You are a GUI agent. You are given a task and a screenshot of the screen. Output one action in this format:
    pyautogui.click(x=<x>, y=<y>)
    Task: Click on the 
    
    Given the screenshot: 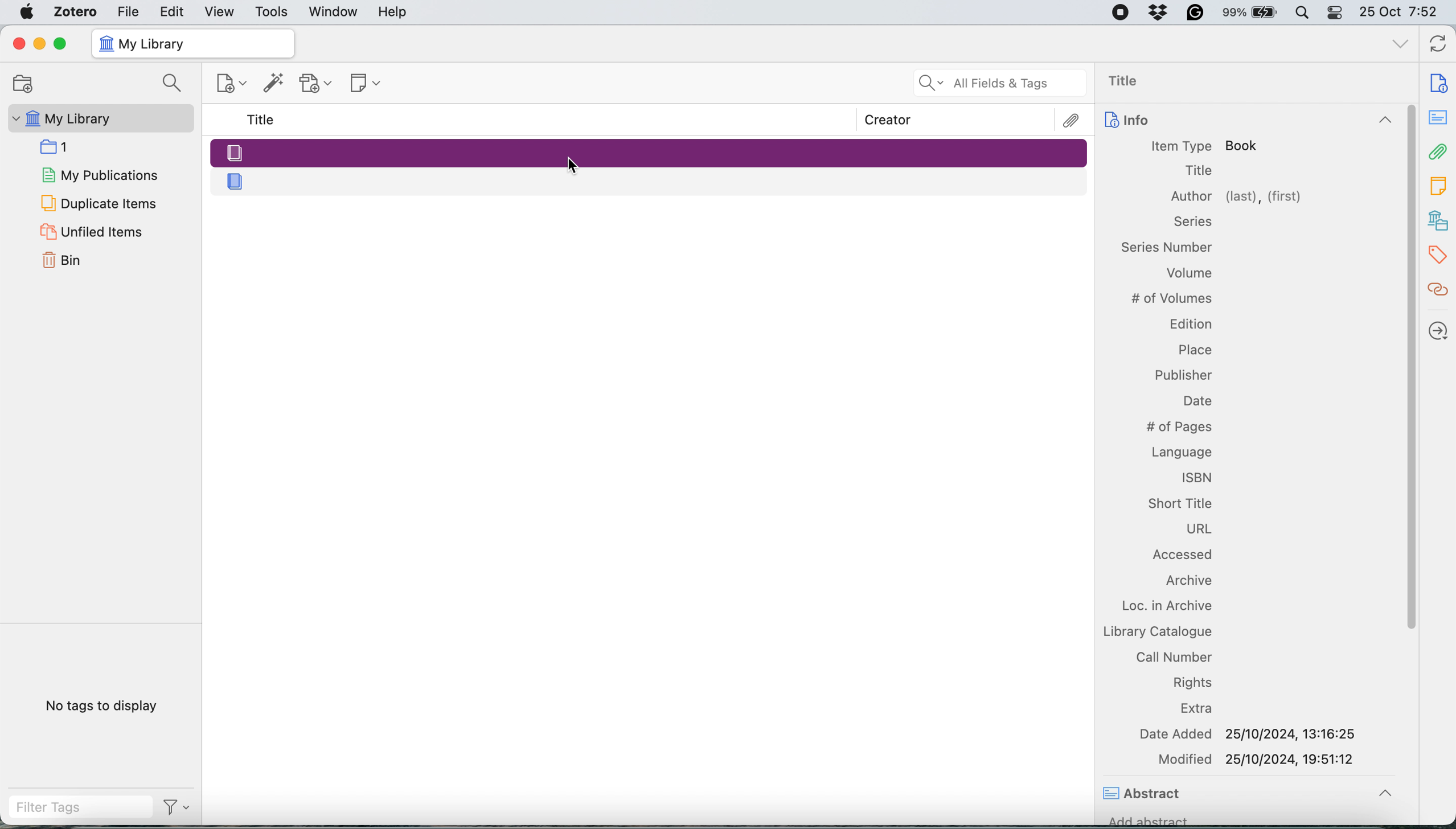 What is the action you would take?
    pyautogui.click(x=1167, y=246)
    